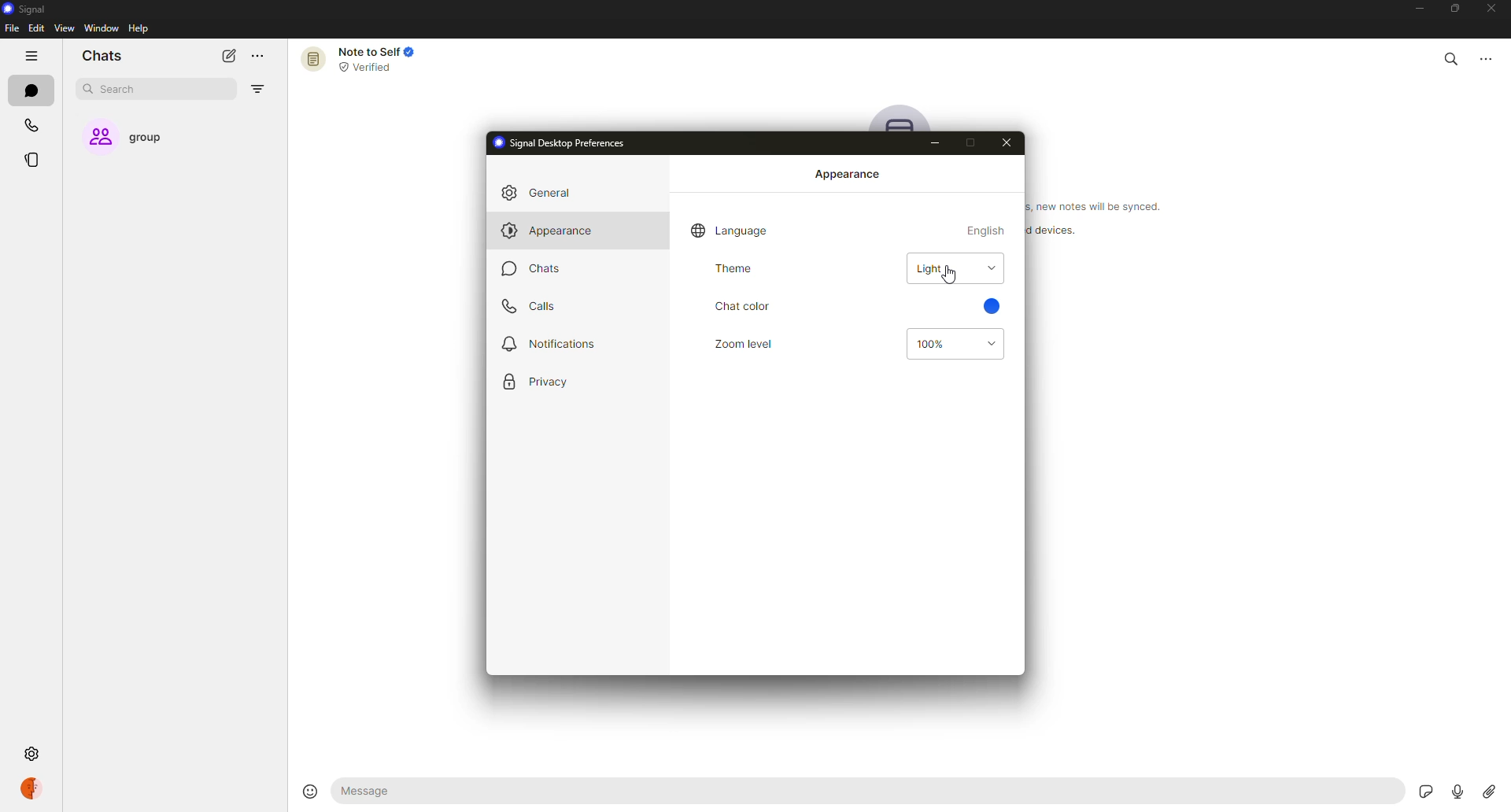 The image size is (1511, 812). I want to click on group, so click(139, 138).